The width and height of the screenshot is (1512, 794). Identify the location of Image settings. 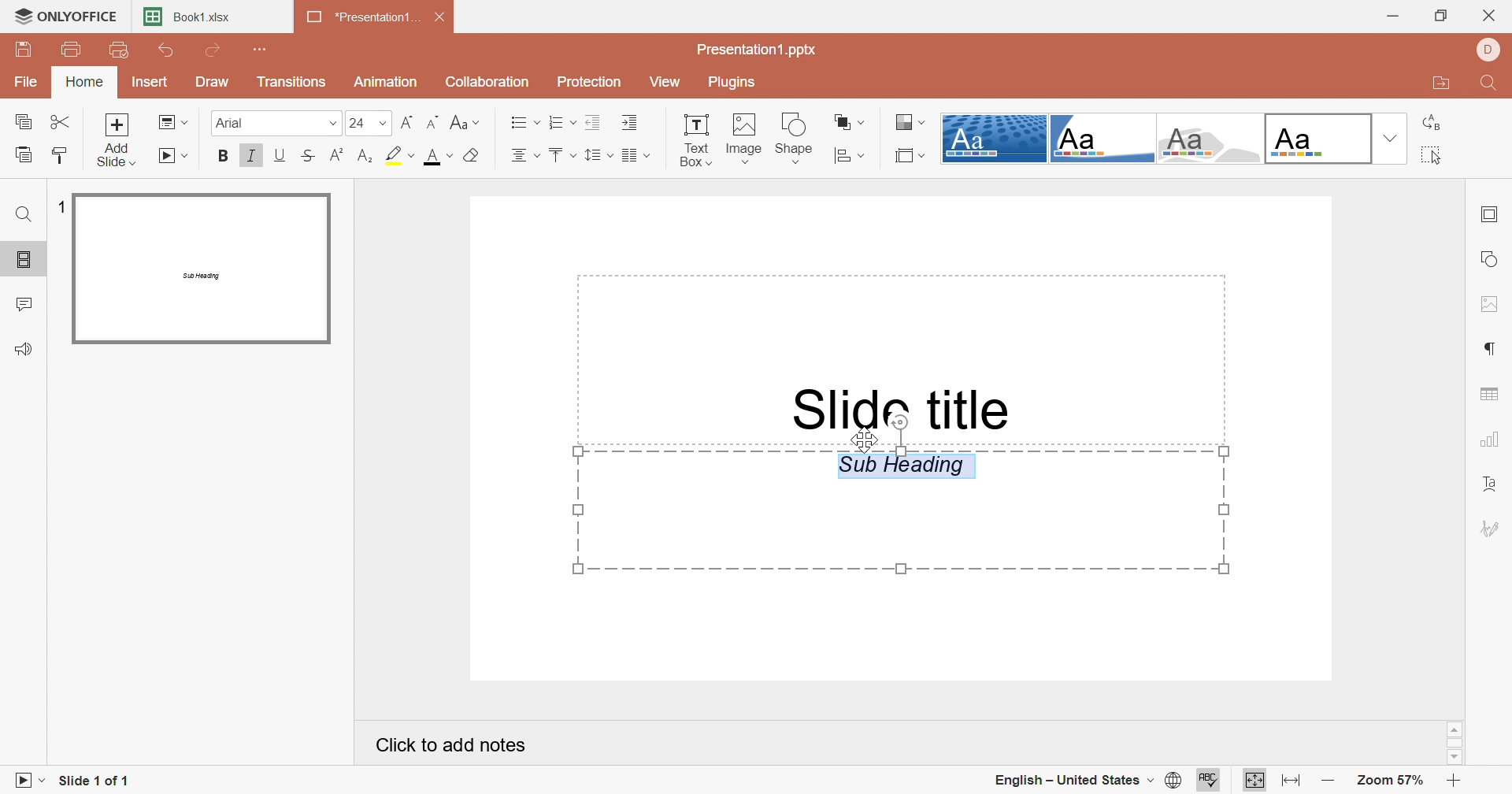
(1488, 305).